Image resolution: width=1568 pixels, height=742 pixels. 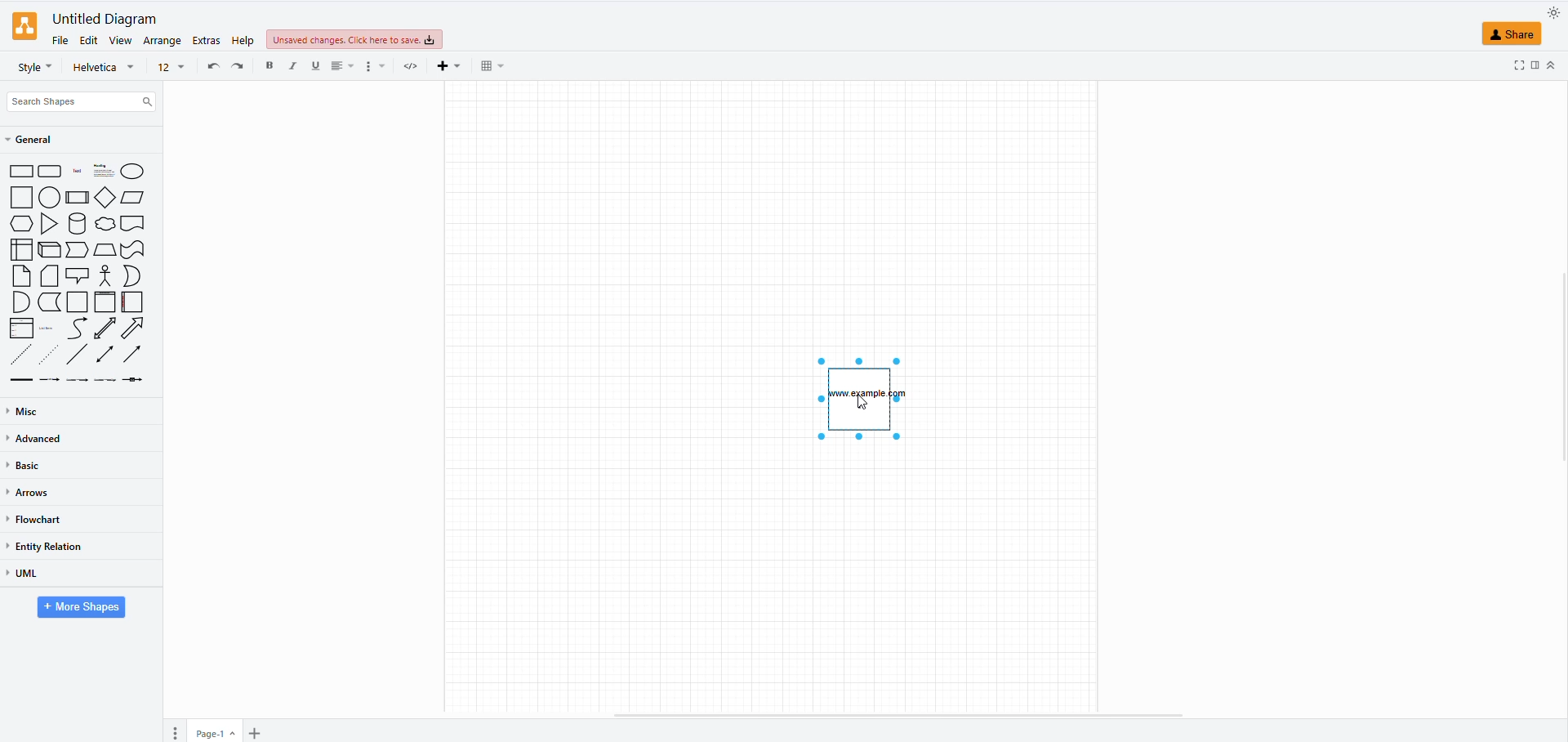 What do you see at coordinates (76, 251) in the screenshot?
I see `step` at bounding box center [76, 251].